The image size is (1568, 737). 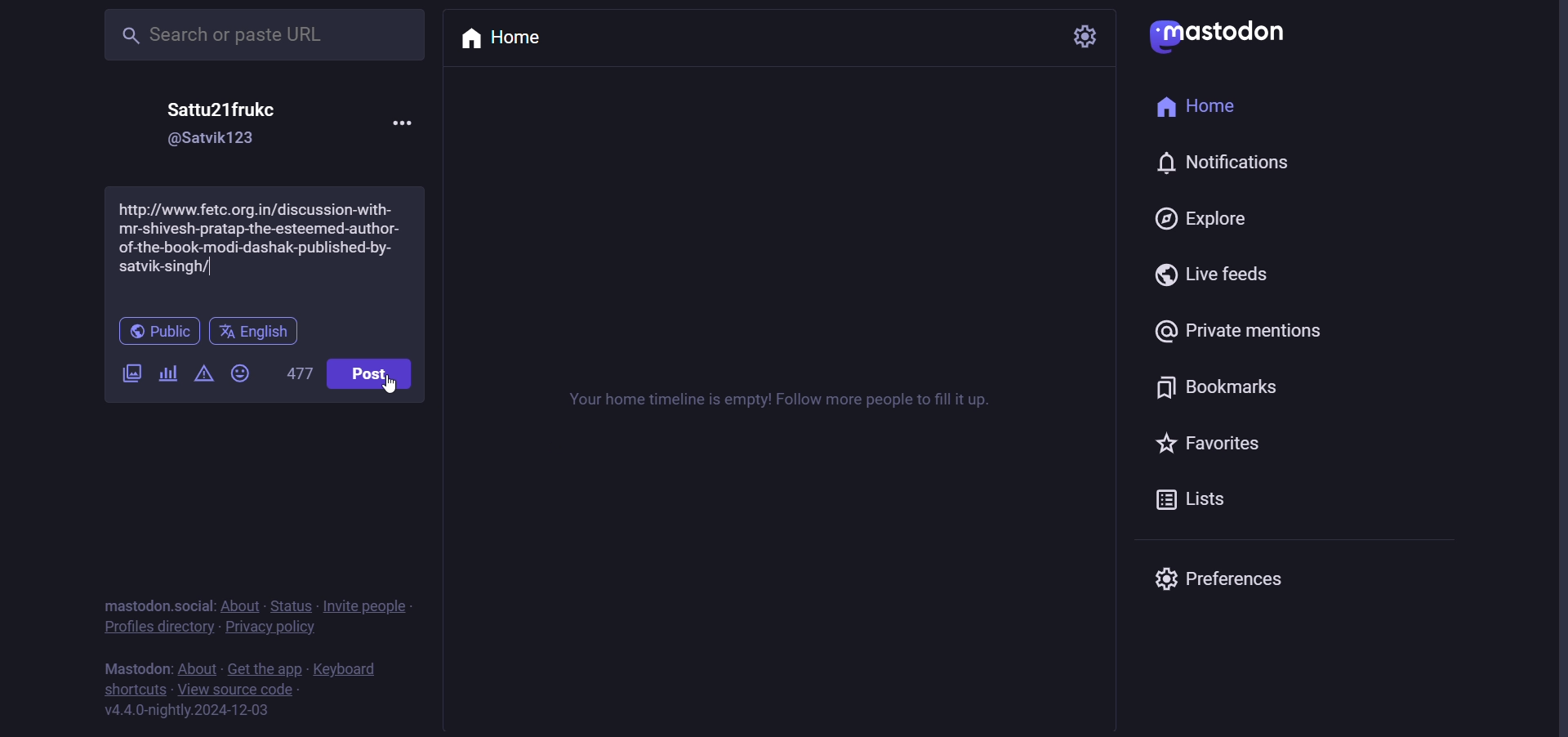 What do you see at coordinates (269, 630) in the screenshot?
I see `privacy policy` at bounding box center [269, 630].